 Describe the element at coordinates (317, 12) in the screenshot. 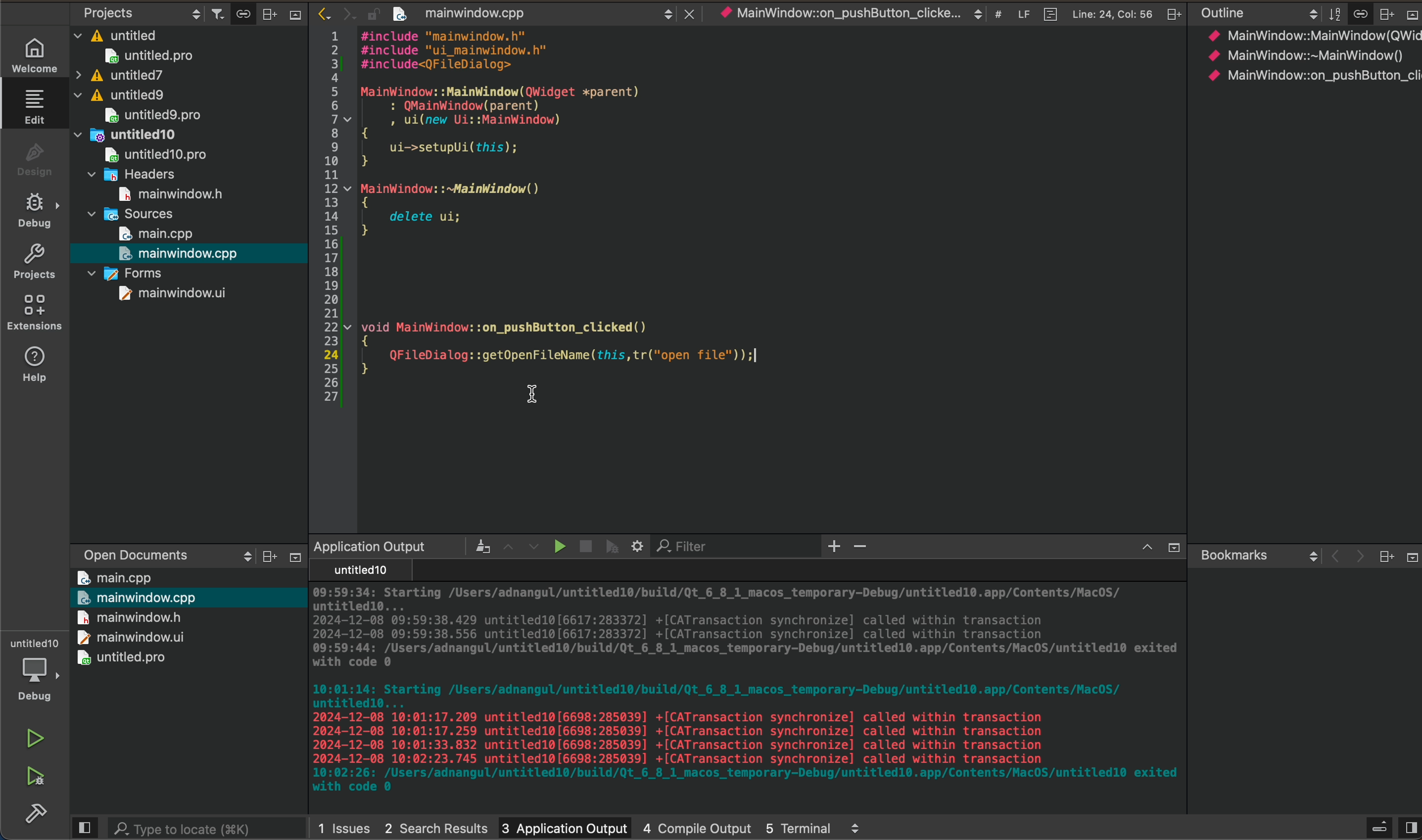

I see `back` at that location.